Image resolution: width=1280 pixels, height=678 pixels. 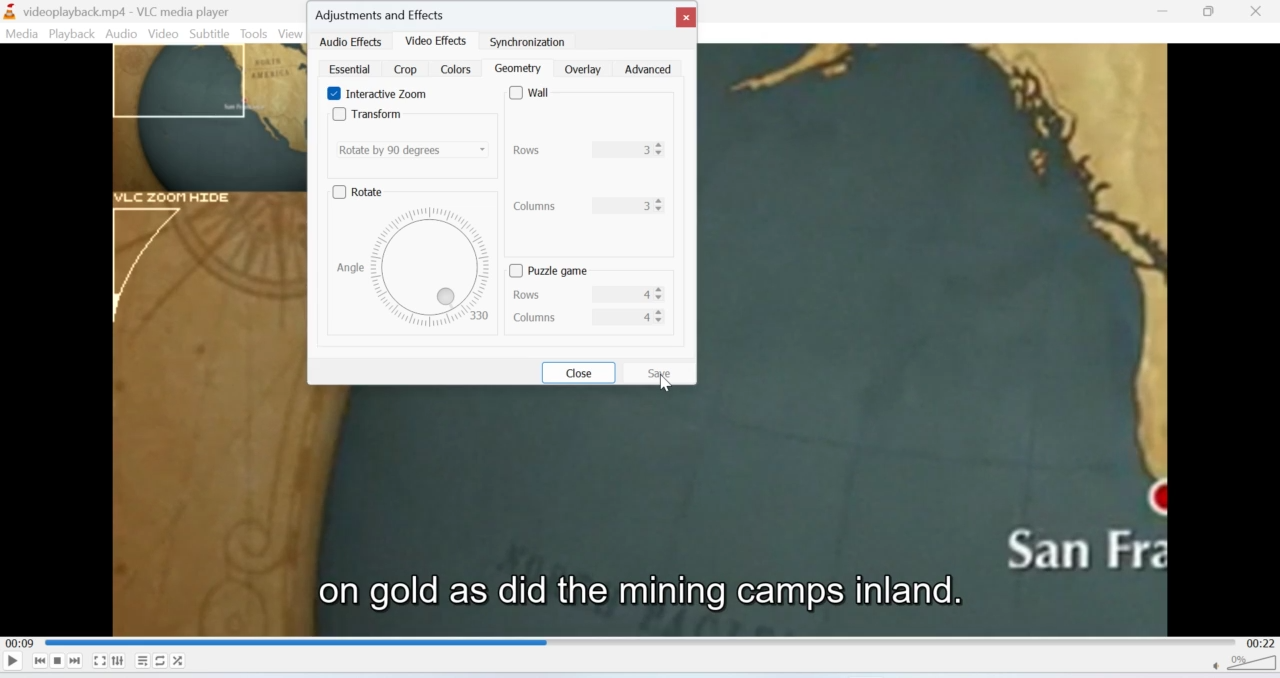 I want to click on Extended settings, so click(x=117, y=660).